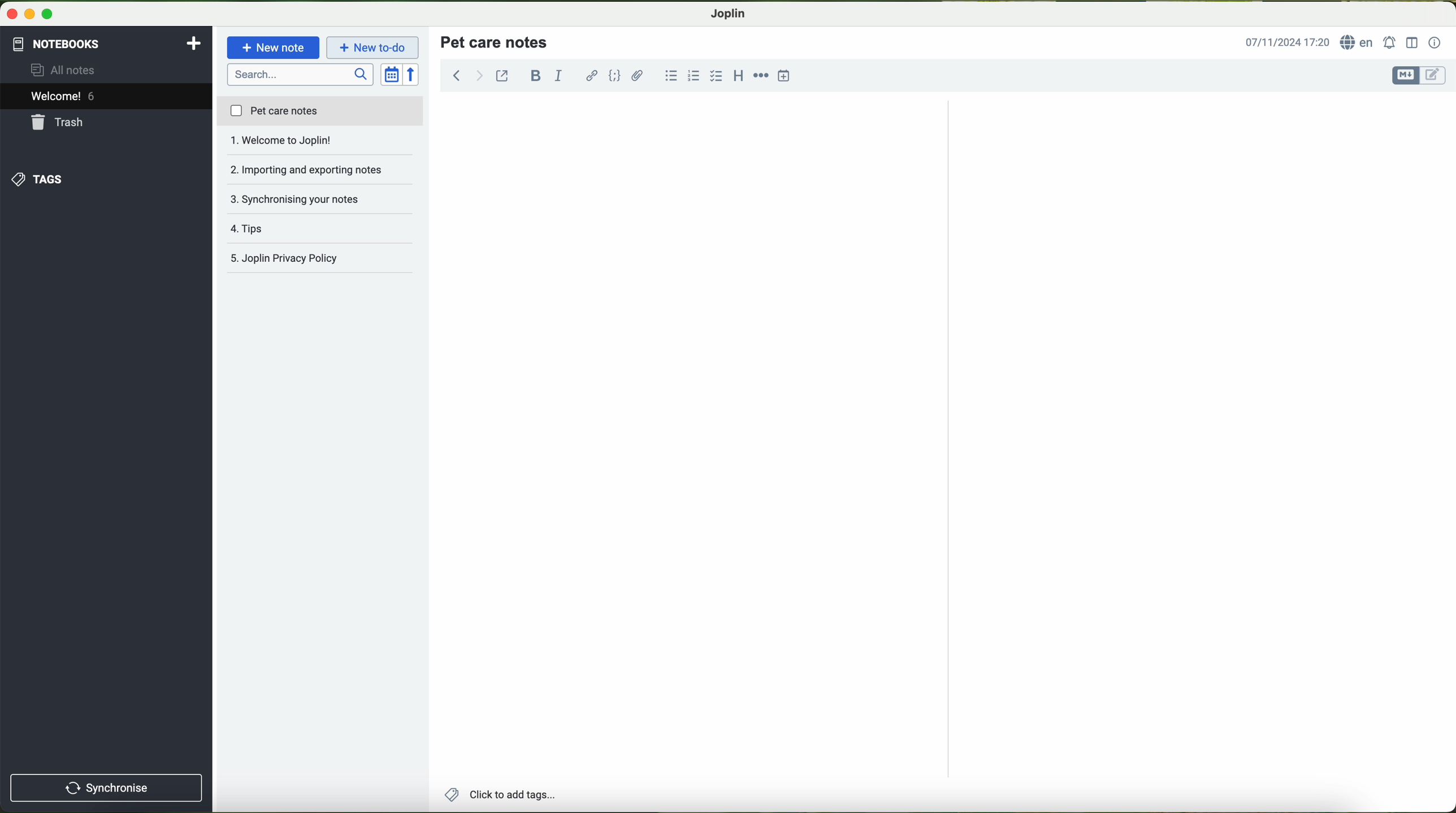 This screenshot has height=813, width=1456. I want to click on horizontal rule, so click(761, 74).